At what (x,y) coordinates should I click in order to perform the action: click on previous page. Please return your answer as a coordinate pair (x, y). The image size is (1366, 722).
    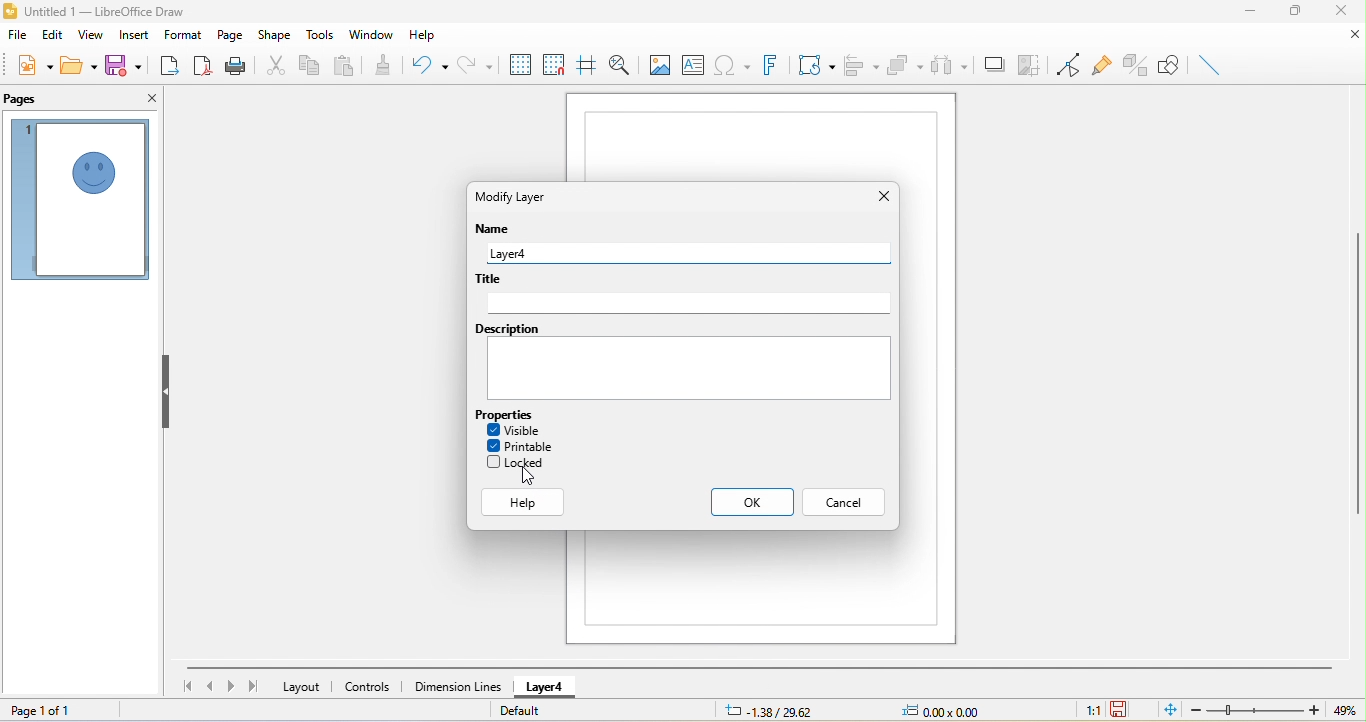
    Looking at the image, I should click on (209, 686).